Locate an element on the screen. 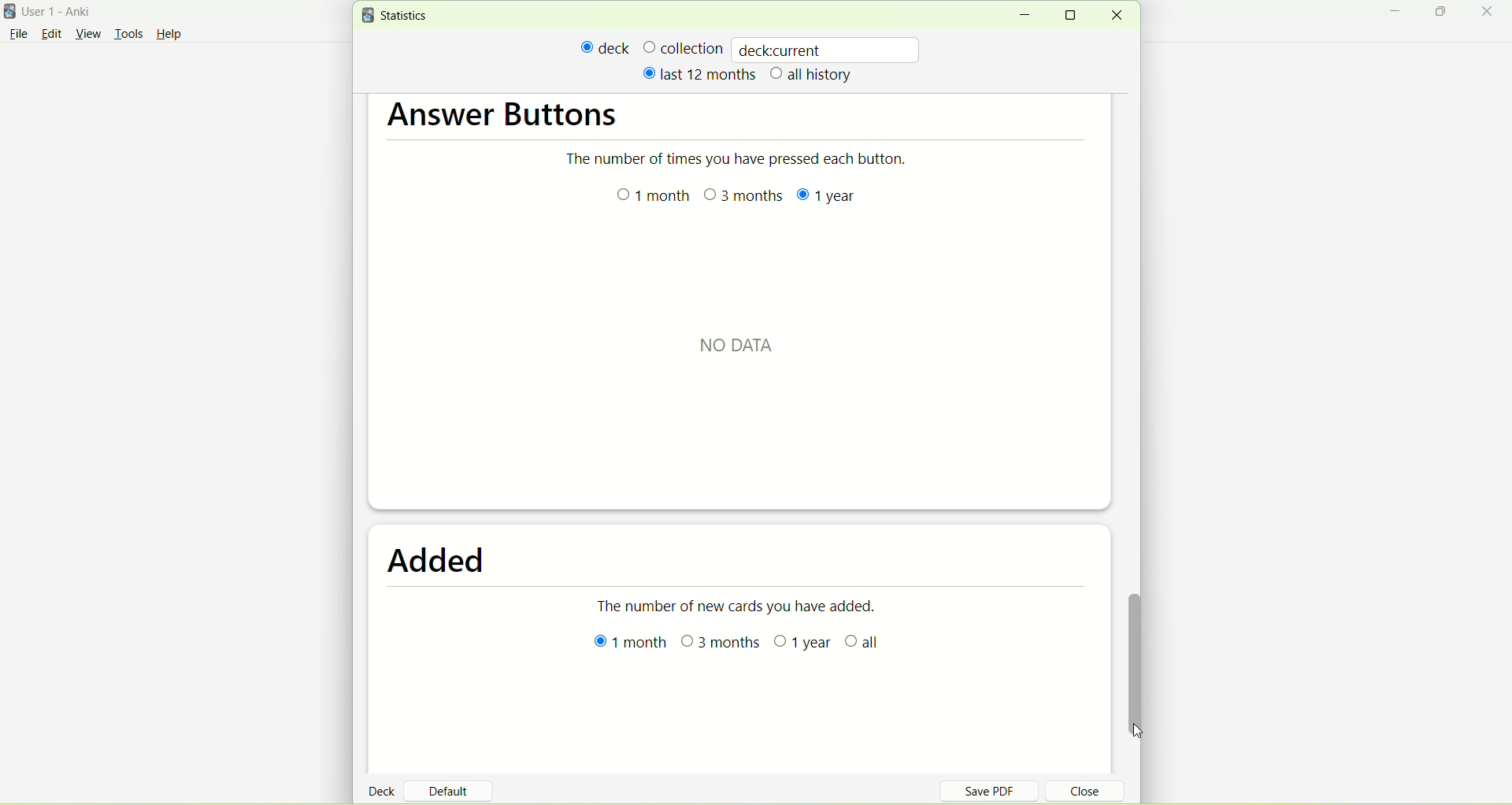 The height and width of the screenshot is (805, 1512). deck is located at coordinates (606, 47).